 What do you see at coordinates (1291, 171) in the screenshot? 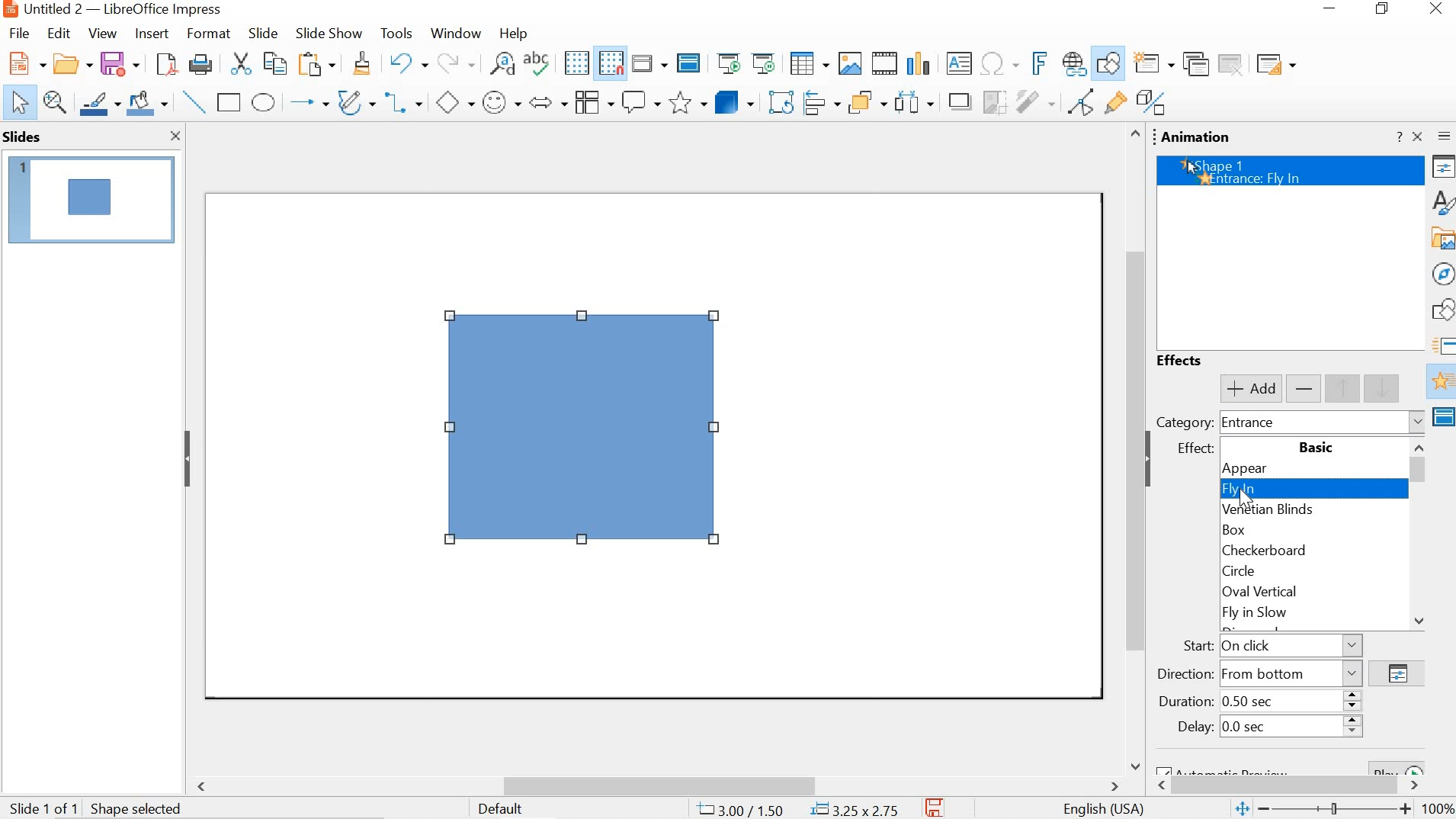
I see `Shape 1 Entrance: Fly In` at bounding box center [1291, 171].